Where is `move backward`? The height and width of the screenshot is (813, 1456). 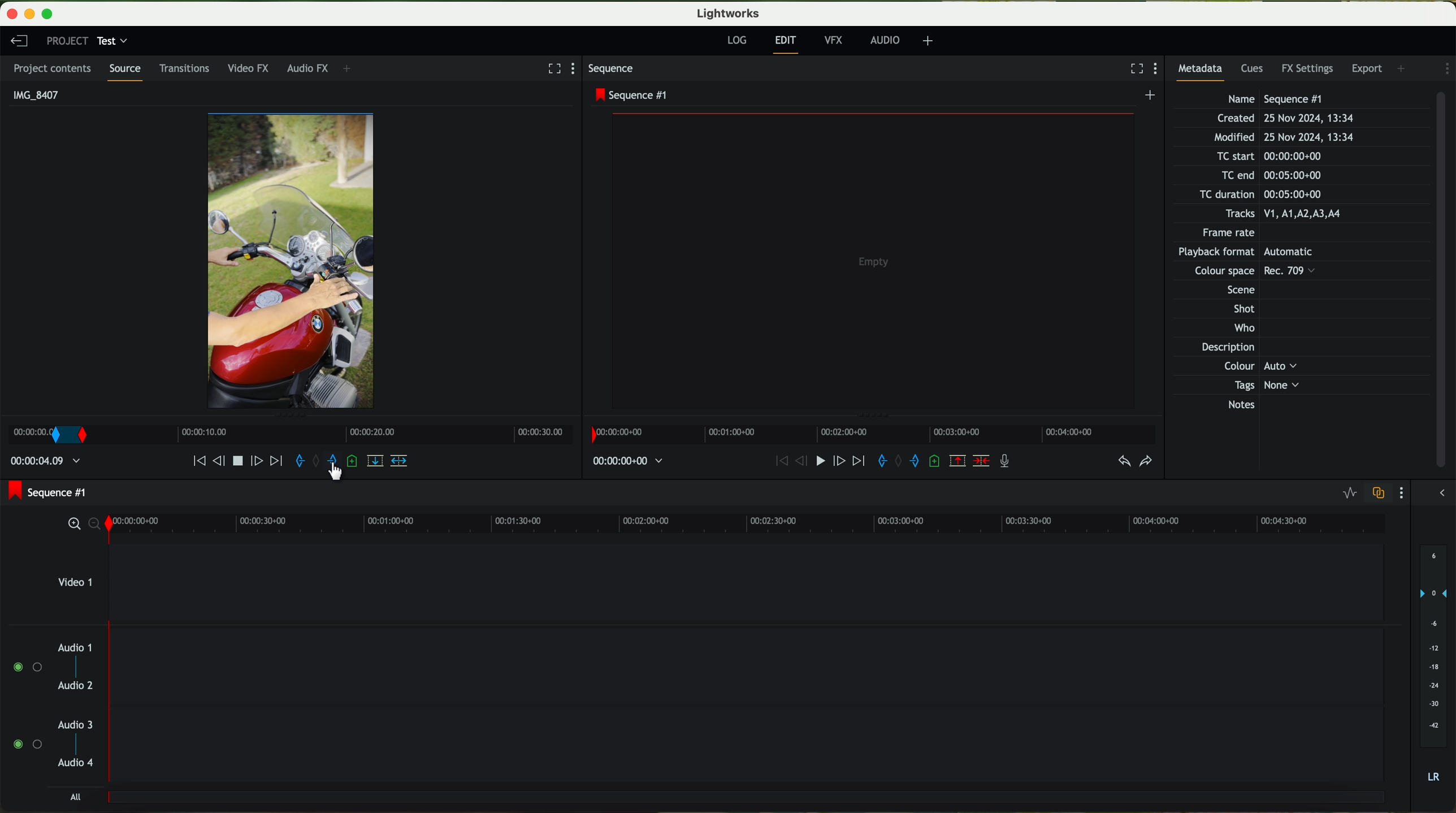
move backward is located at coordinates (774, 461).